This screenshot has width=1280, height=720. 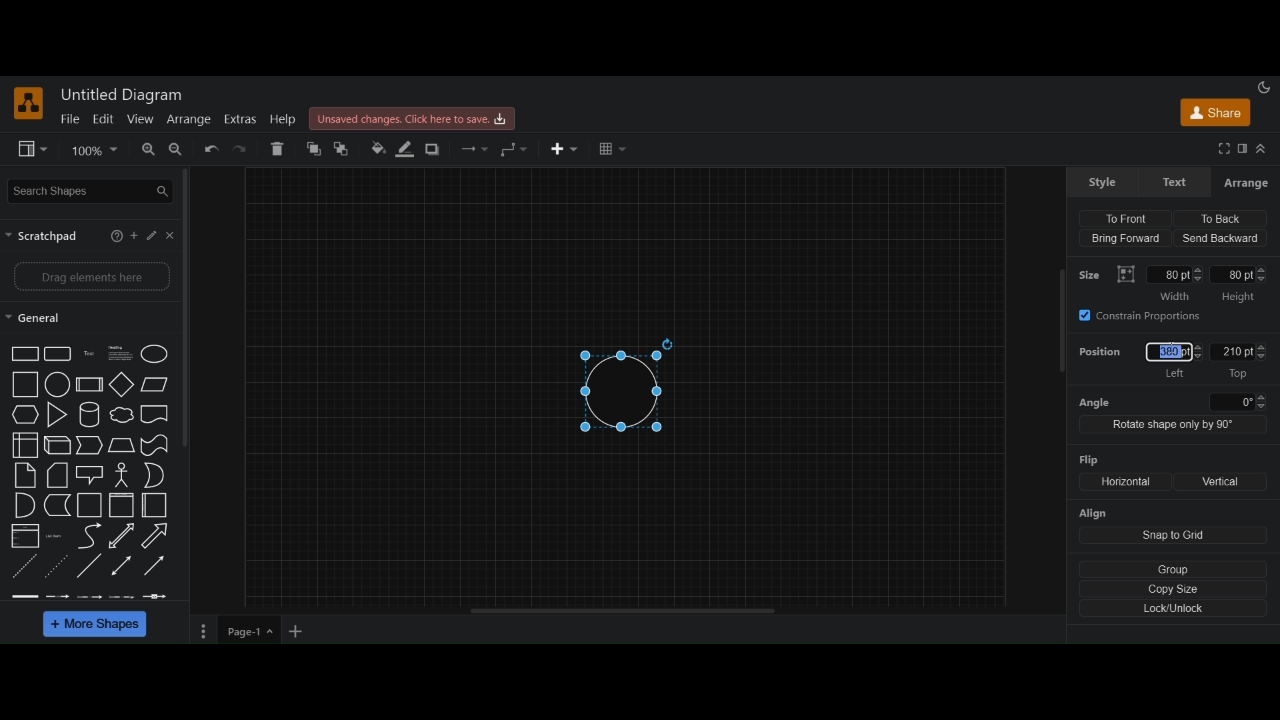 What do you see at coordinates (1261, 150) in the screenshot?
I see `collapse/expand` at bounding box center [1261, 150].